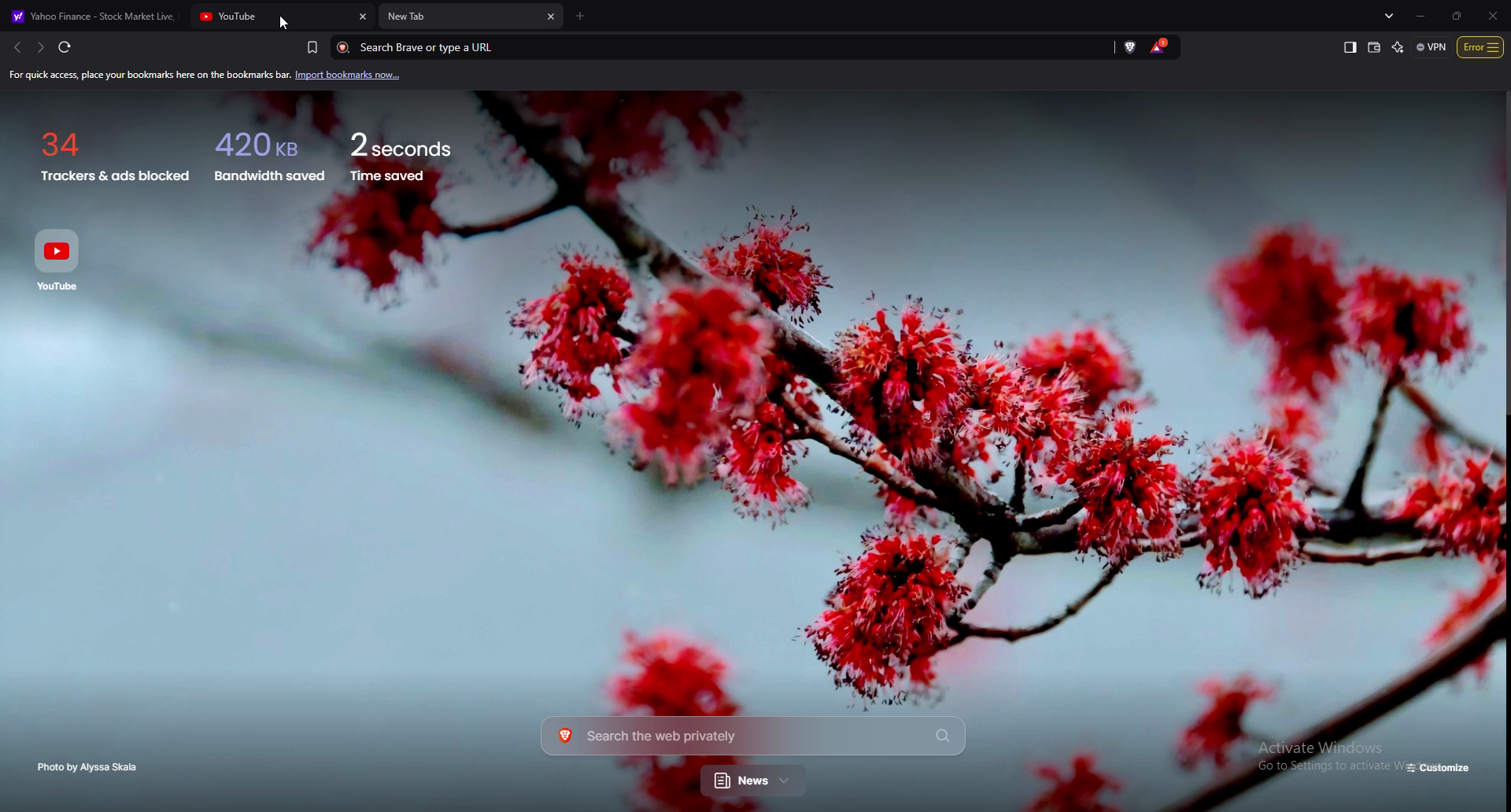 Image resolution: width=1511 pixels, height=812 pixels. I want to click on Search Brave or type a URL, so click(703, 47).